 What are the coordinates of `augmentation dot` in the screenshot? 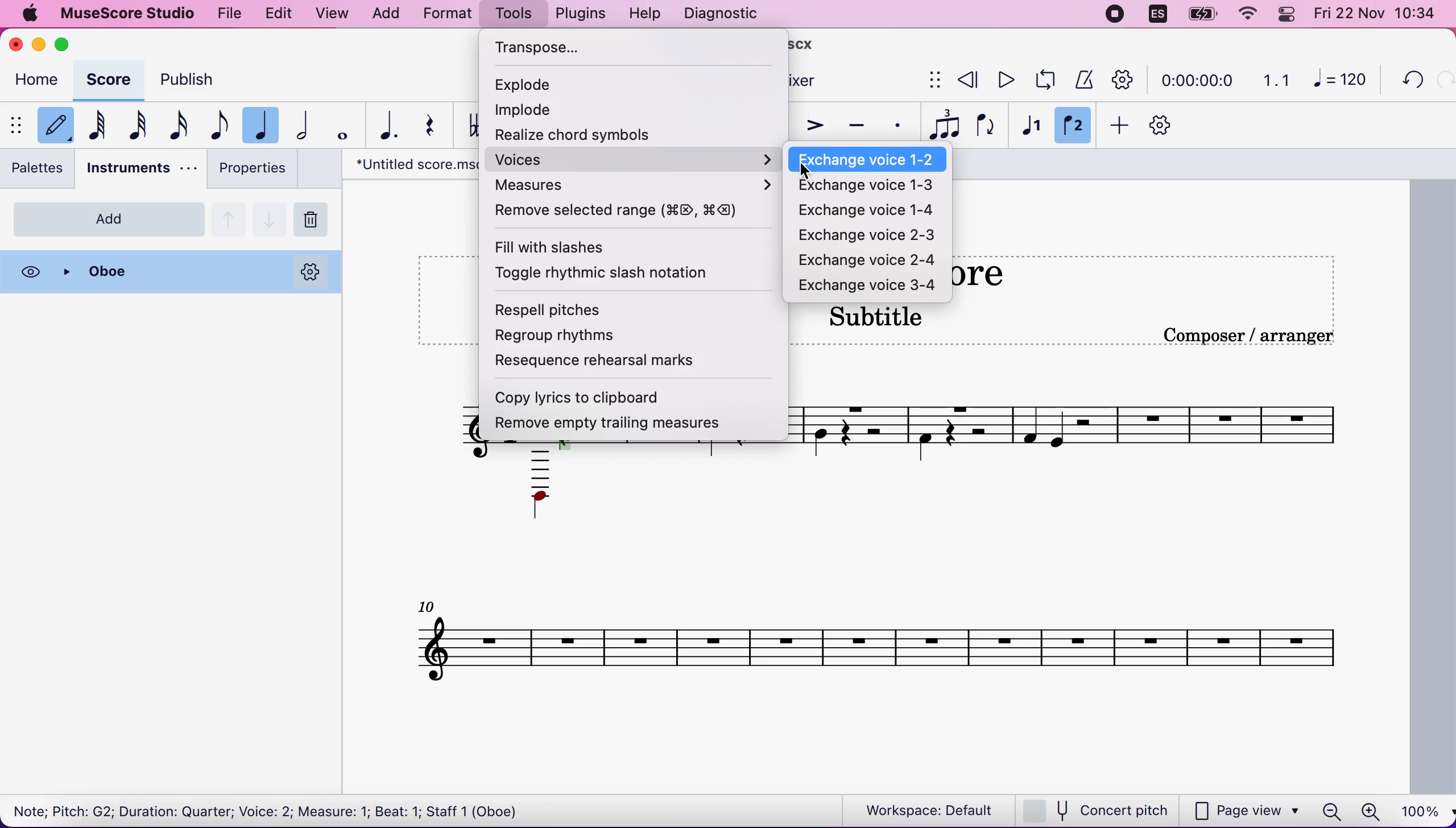 It's located at (391, 124).